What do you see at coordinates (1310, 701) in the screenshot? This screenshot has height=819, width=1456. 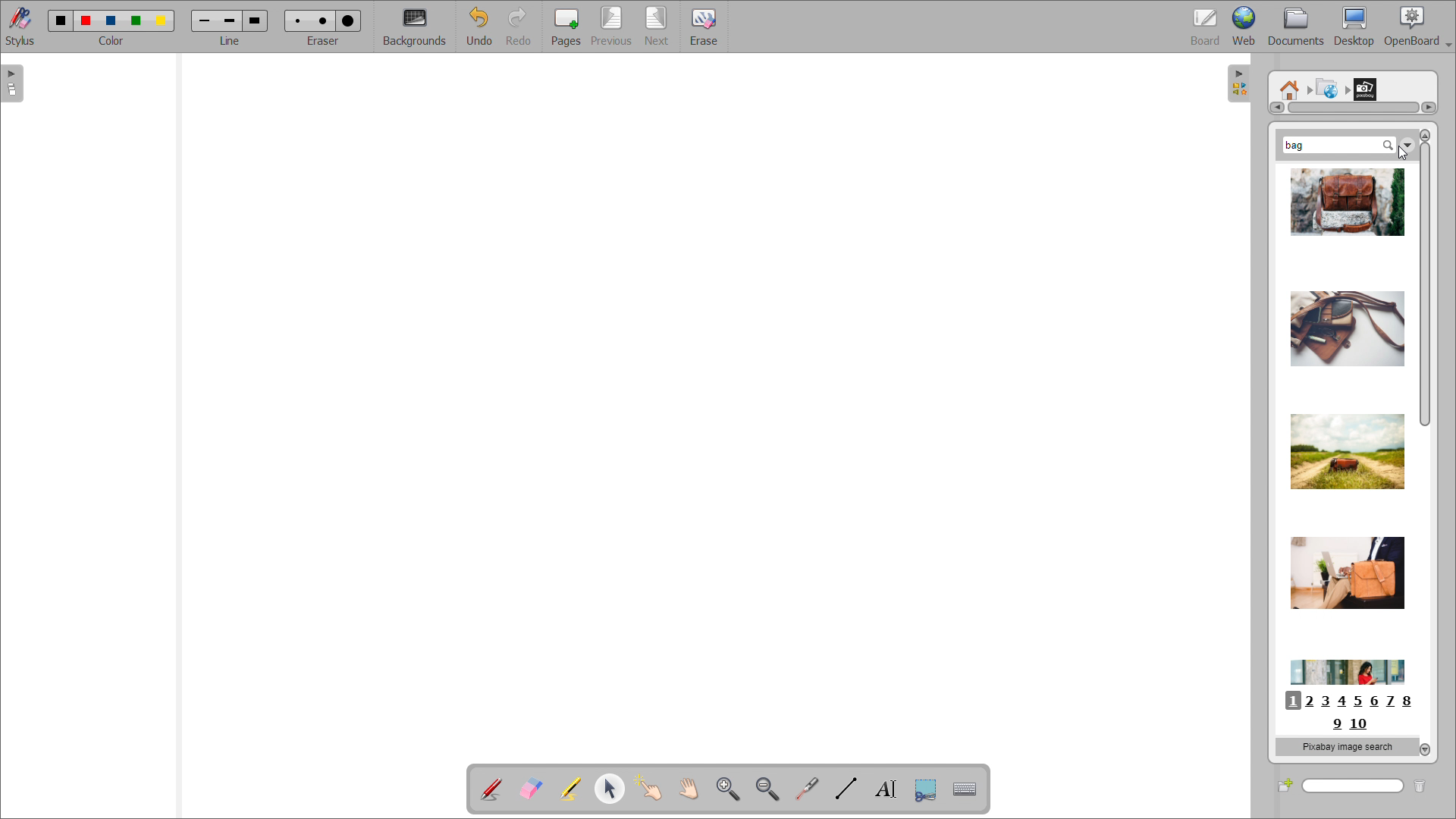 I see `2` at bounding box center [1310, 701].